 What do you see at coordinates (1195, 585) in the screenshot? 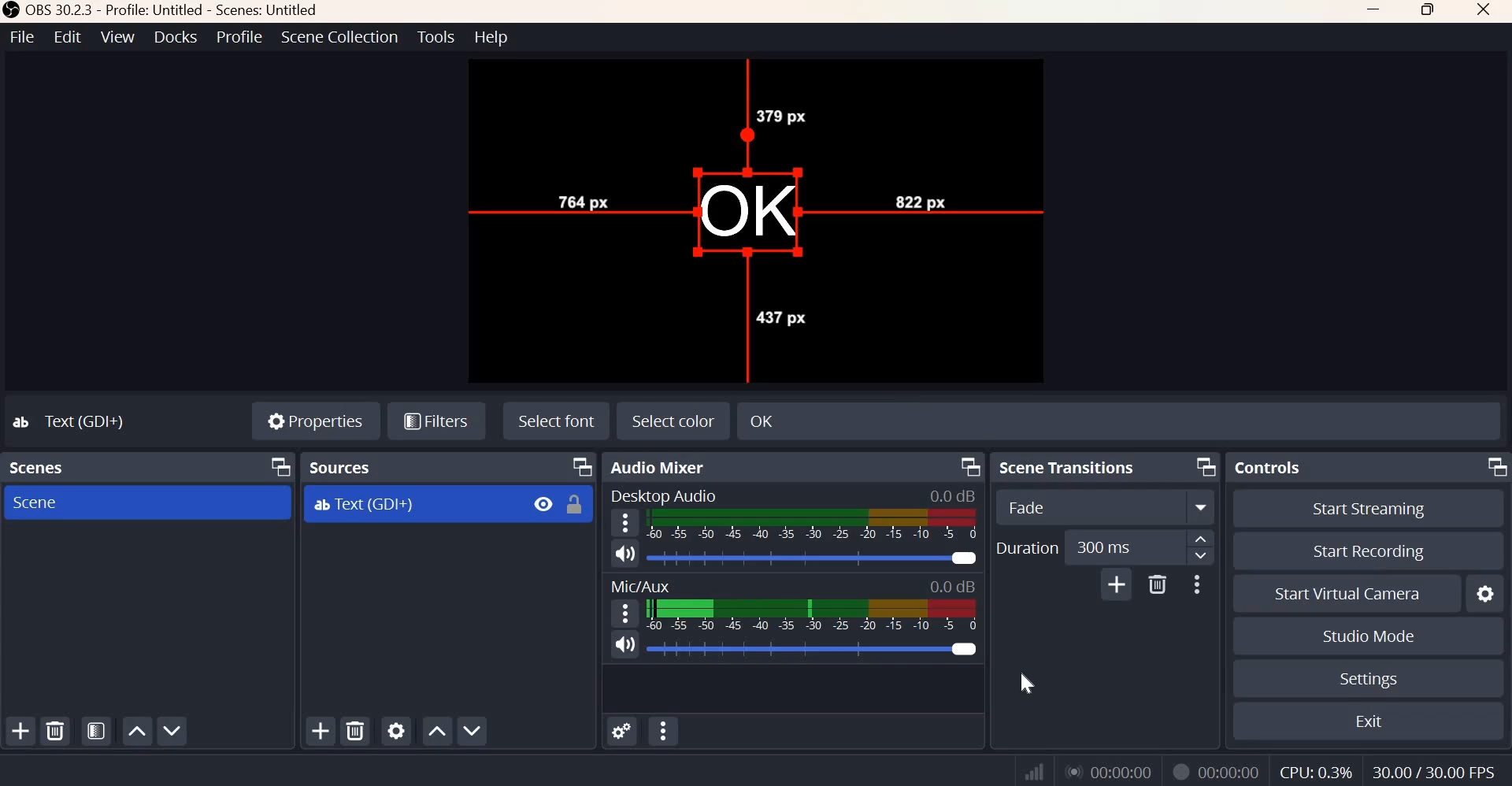
I see `More Options` at bounding box center [1195, 585].